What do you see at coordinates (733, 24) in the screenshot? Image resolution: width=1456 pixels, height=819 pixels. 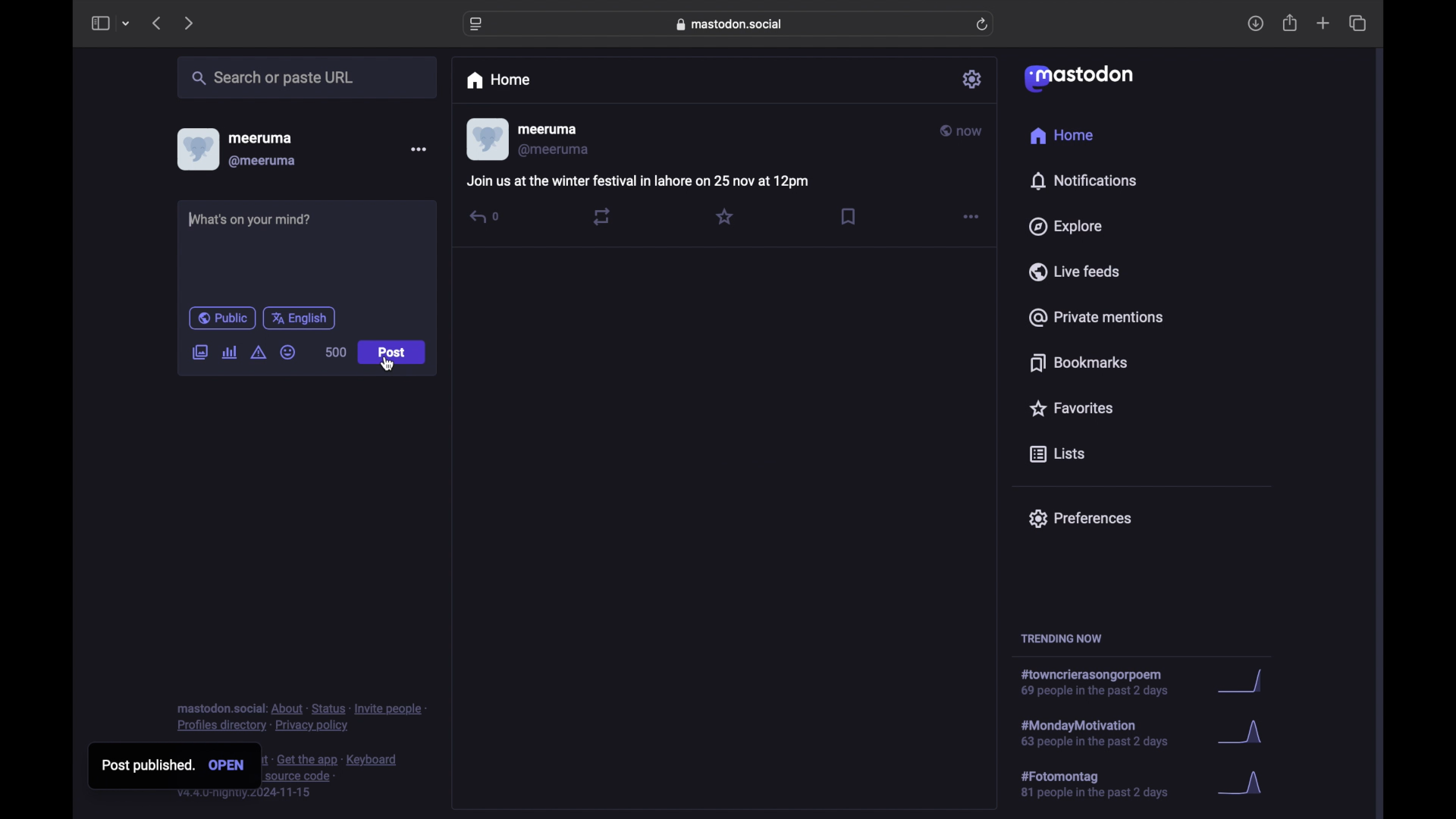 I see `web address` at bounding box center [733, 24].